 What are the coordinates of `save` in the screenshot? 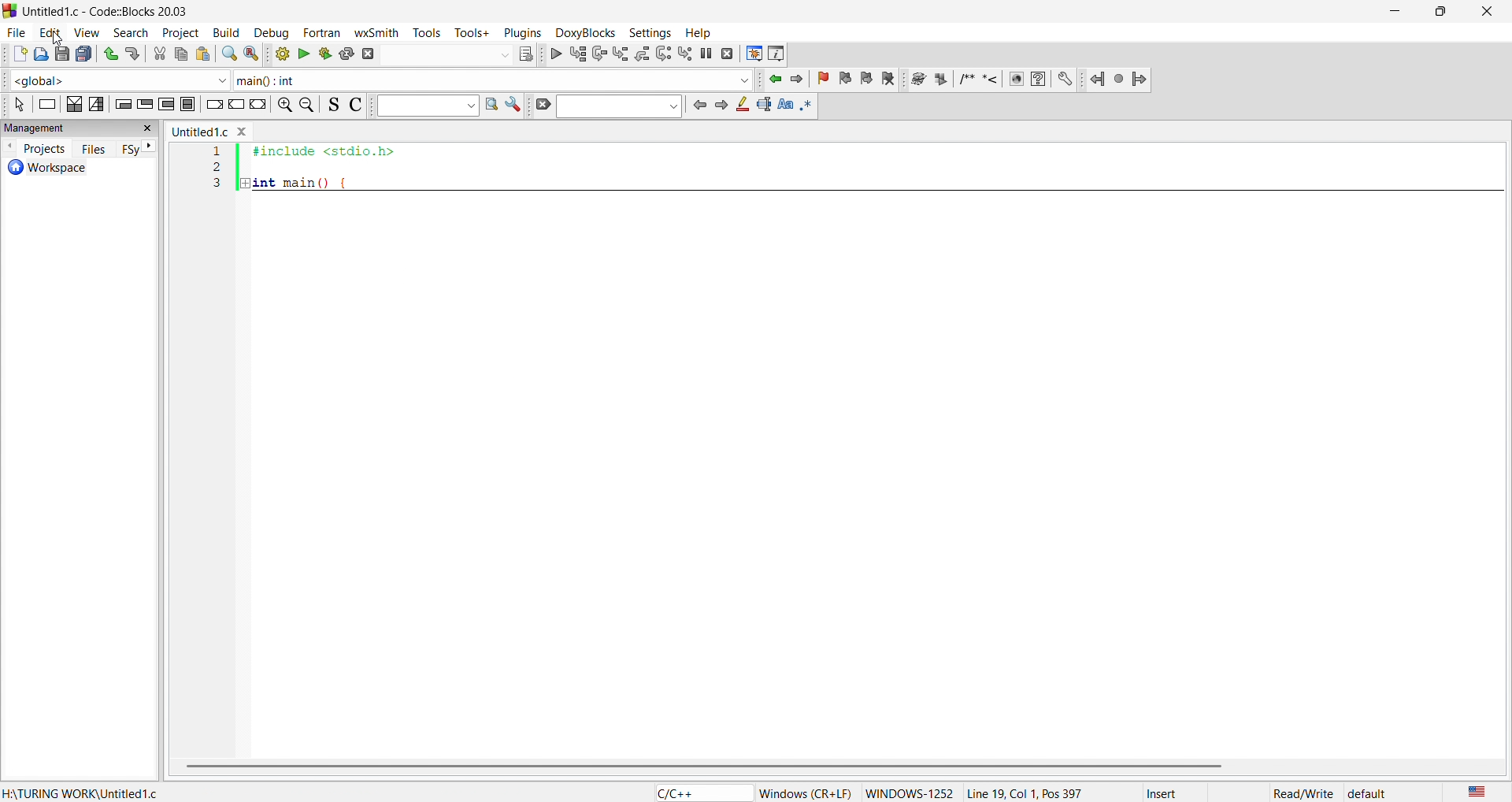 It's located at (60, 54).